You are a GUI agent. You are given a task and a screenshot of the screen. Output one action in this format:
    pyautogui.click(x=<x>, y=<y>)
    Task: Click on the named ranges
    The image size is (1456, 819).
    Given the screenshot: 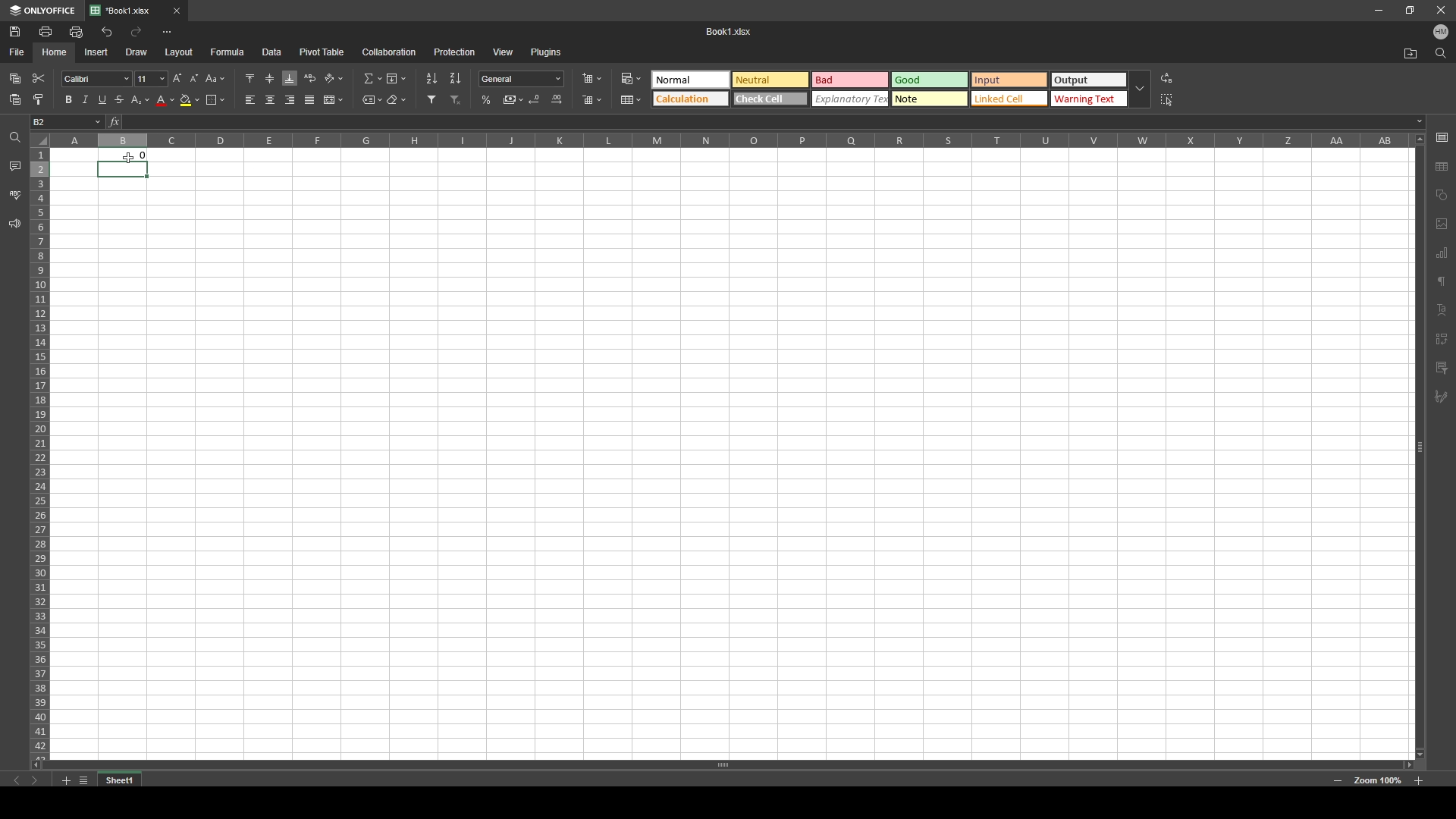 What is the action you would take?
    pyautogui.click(x=372, y=99)
    